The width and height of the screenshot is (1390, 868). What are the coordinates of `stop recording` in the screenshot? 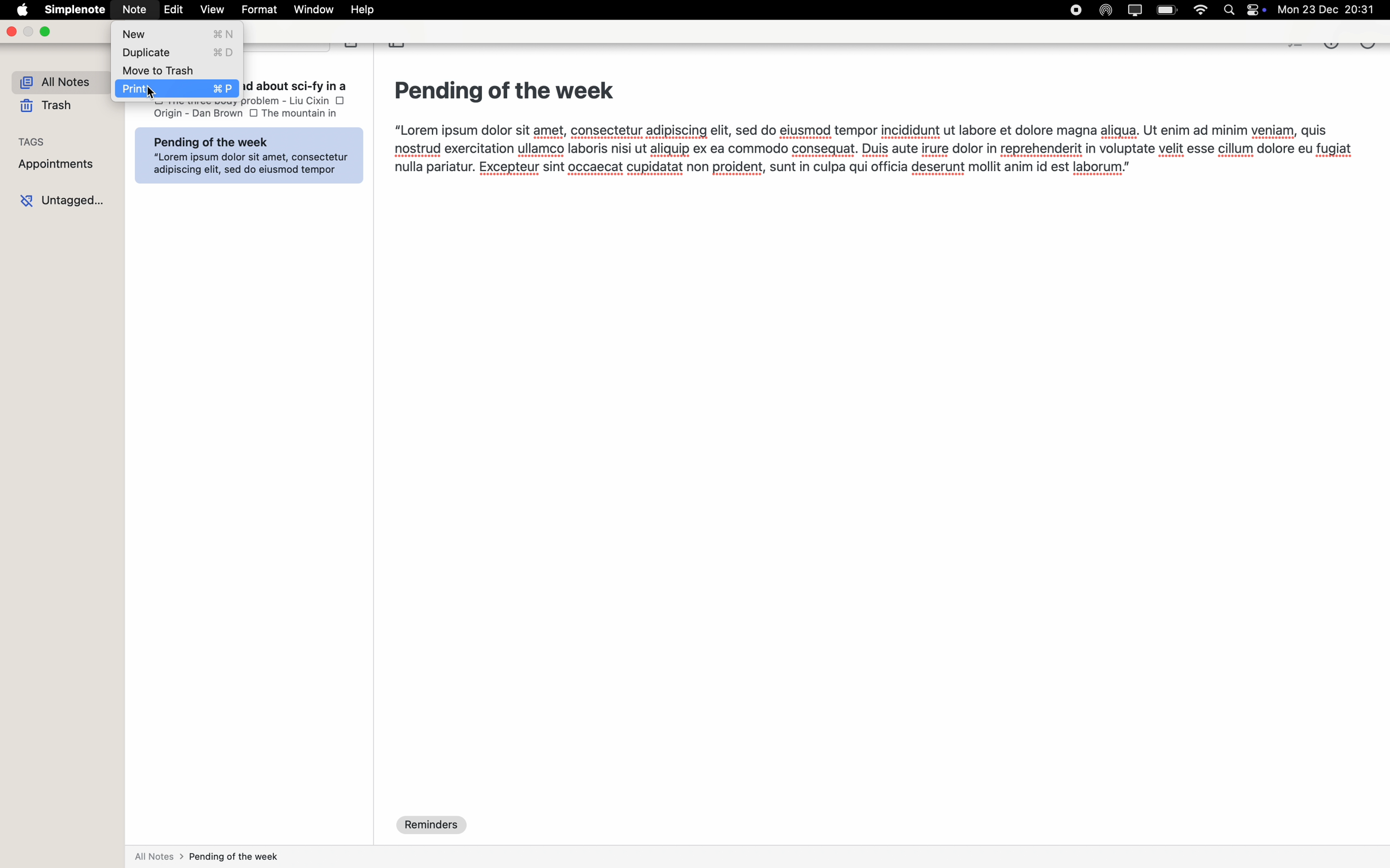 It's located at (1078, 9).